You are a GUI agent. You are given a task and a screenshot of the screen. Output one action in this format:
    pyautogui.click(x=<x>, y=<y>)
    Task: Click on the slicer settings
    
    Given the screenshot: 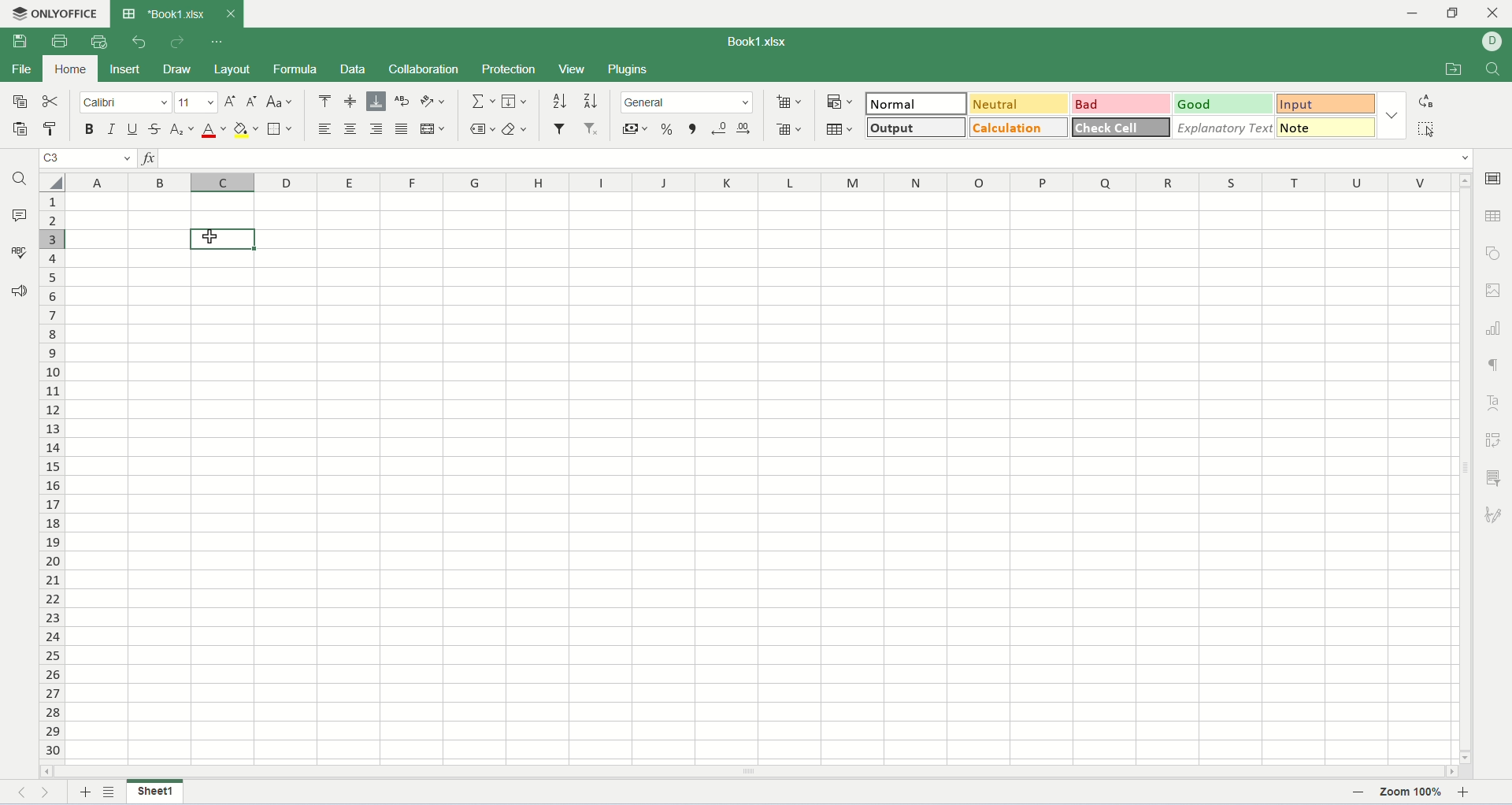 What is the action you would take?
    pyautogui.click(x=1496, y=477)
    